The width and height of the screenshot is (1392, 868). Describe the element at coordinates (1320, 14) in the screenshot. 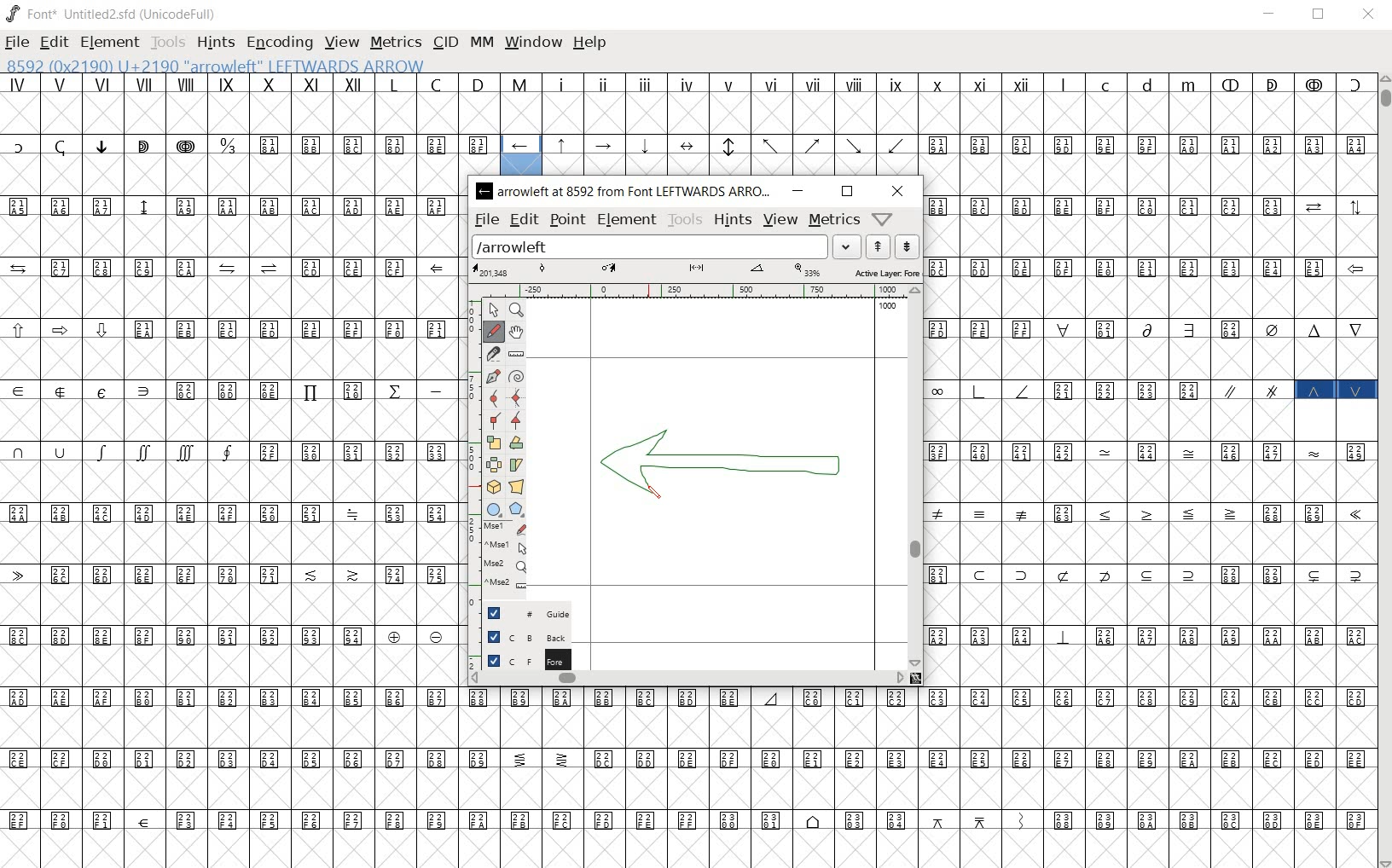

I see `restore` at that location.